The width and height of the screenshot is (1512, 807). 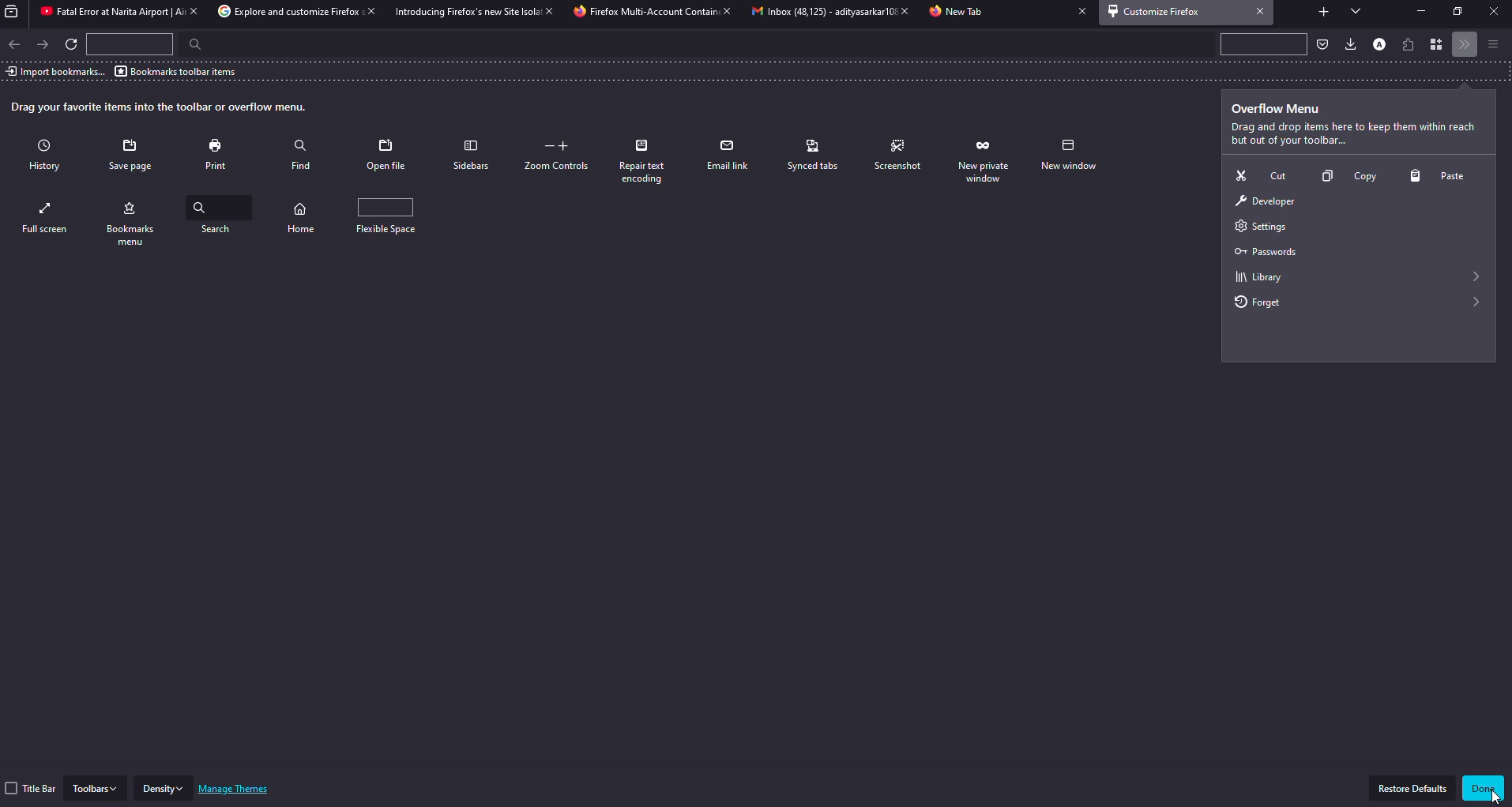 I want to click on done, so click(x=1485, y=787).